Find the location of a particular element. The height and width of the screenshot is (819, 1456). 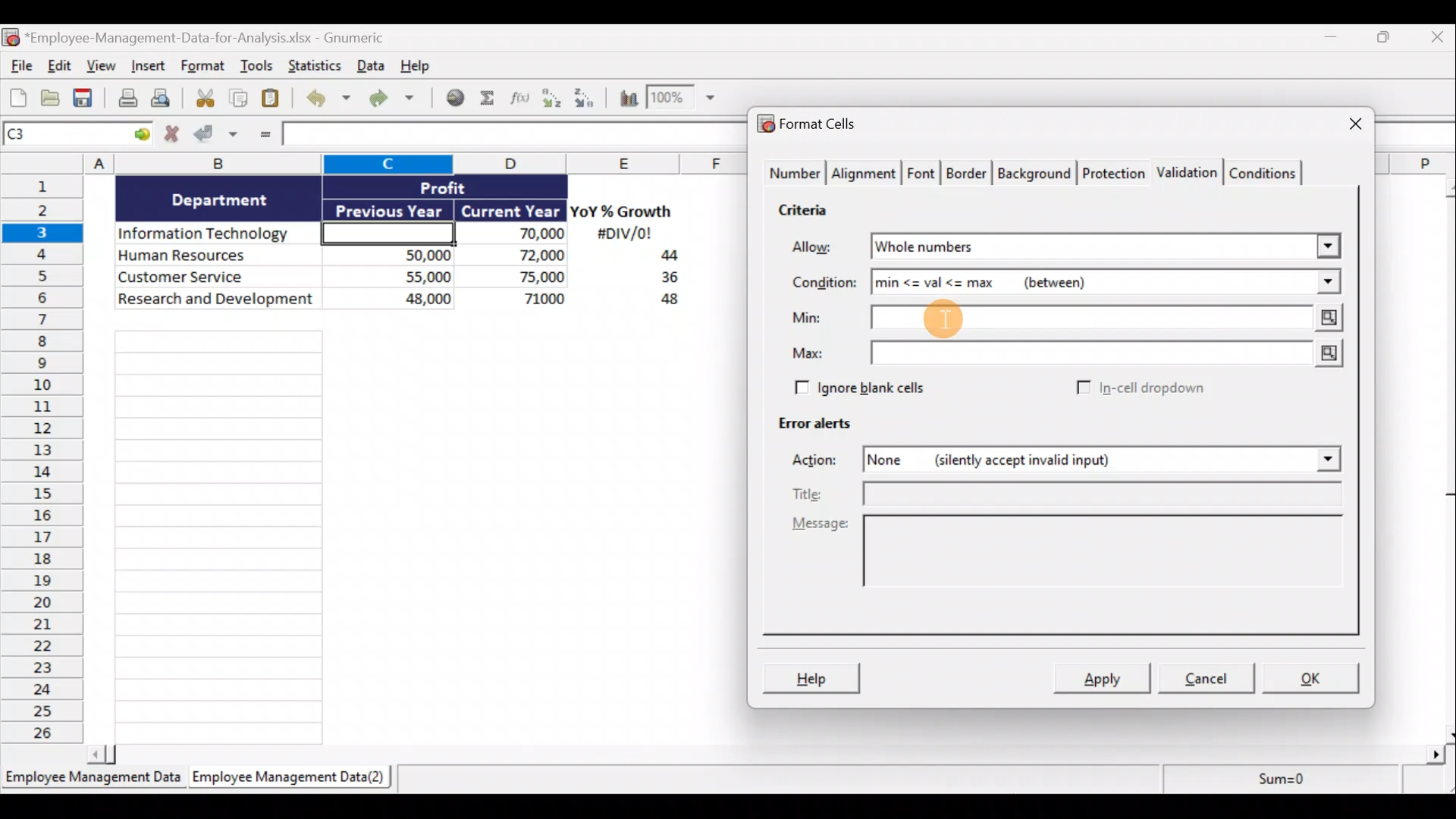

Customer Service is located at coordinates (218, 275).